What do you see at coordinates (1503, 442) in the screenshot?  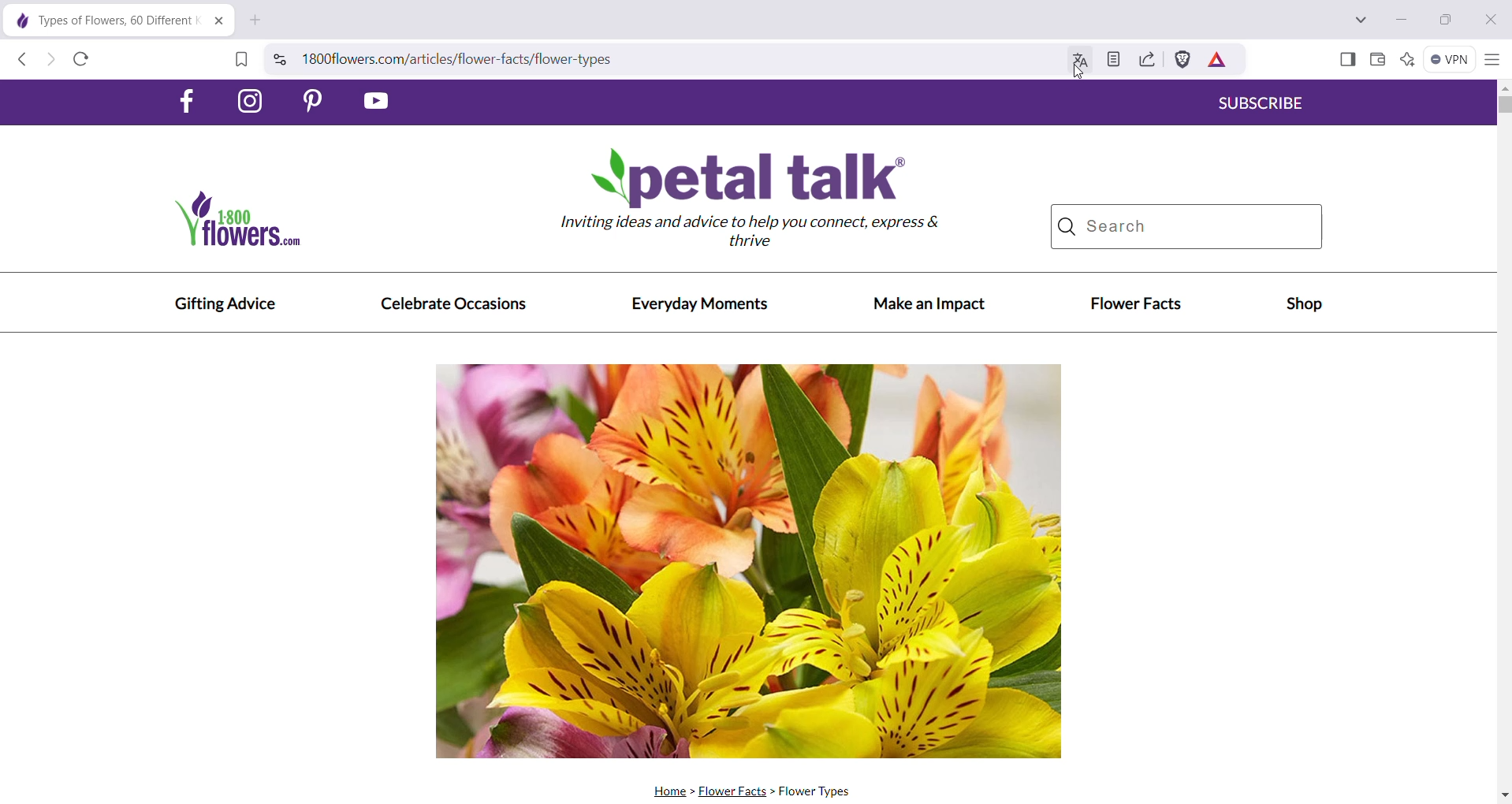 I see `Vertical Scroll Bar` at bounding box center [1503, 442].